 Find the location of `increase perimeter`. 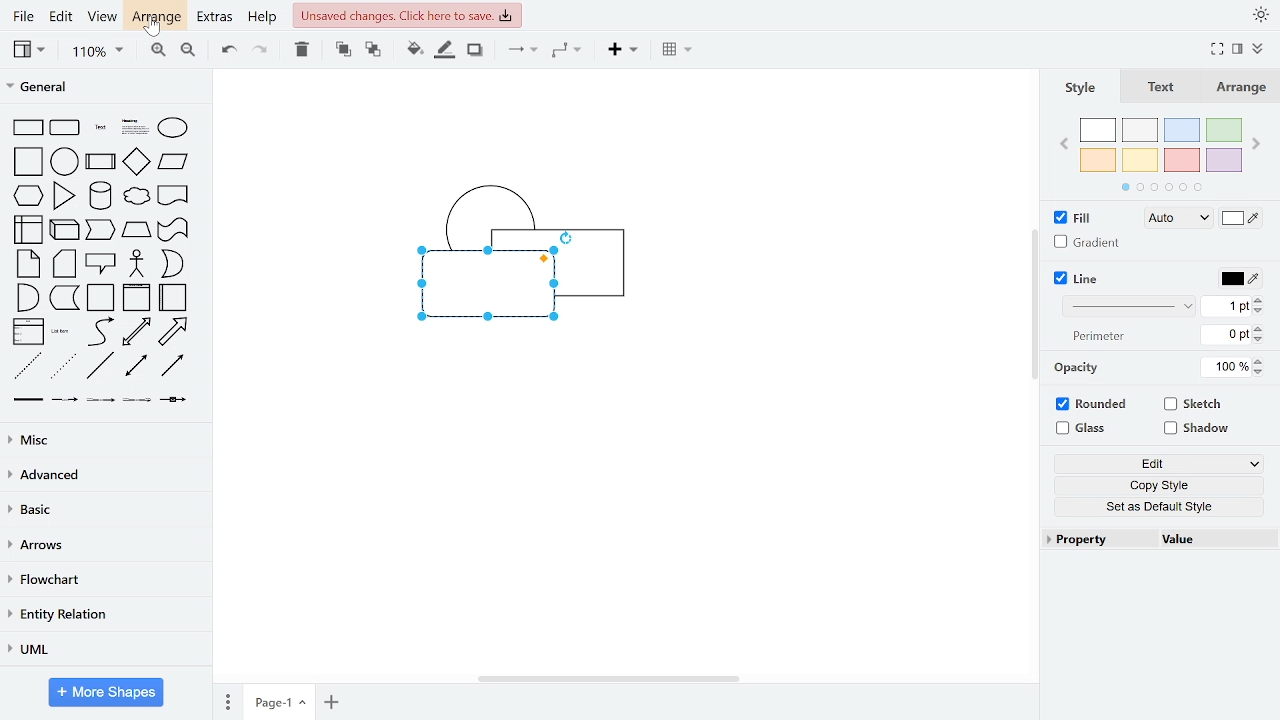

increase perimeter is located at coordinates (1259, 328).